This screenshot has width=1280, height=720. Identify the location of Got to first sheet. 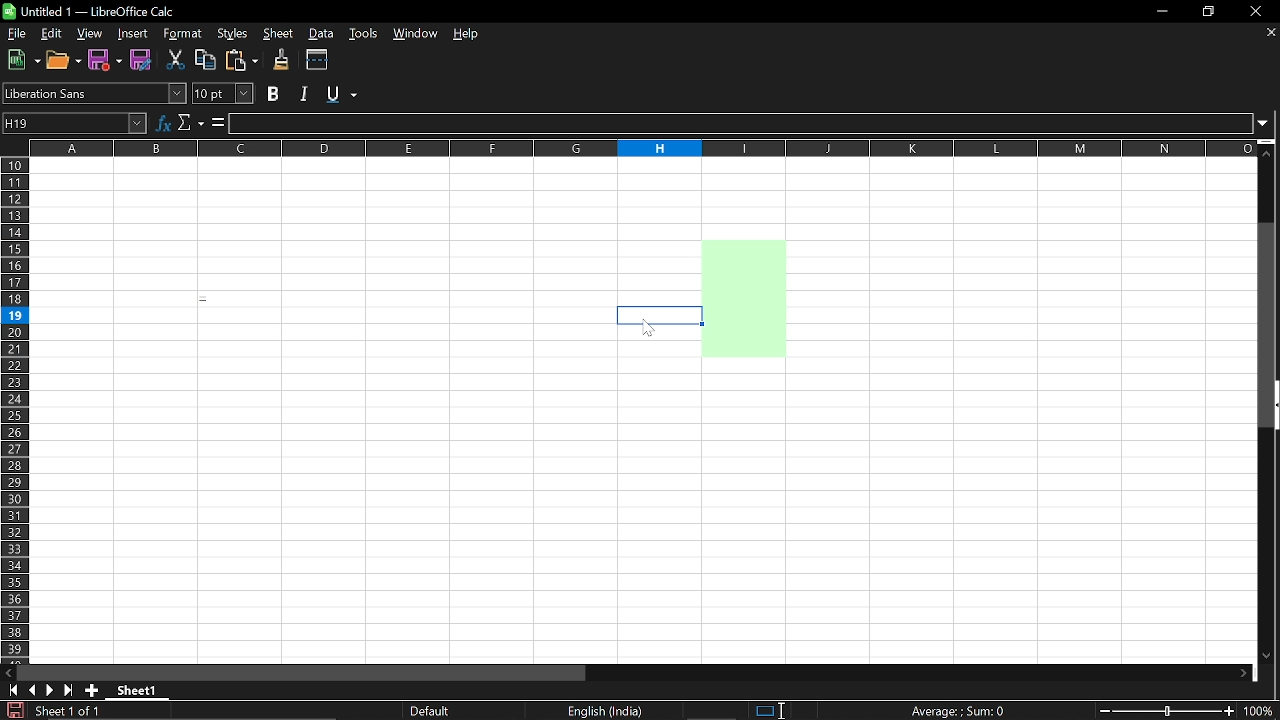
(14, 690).